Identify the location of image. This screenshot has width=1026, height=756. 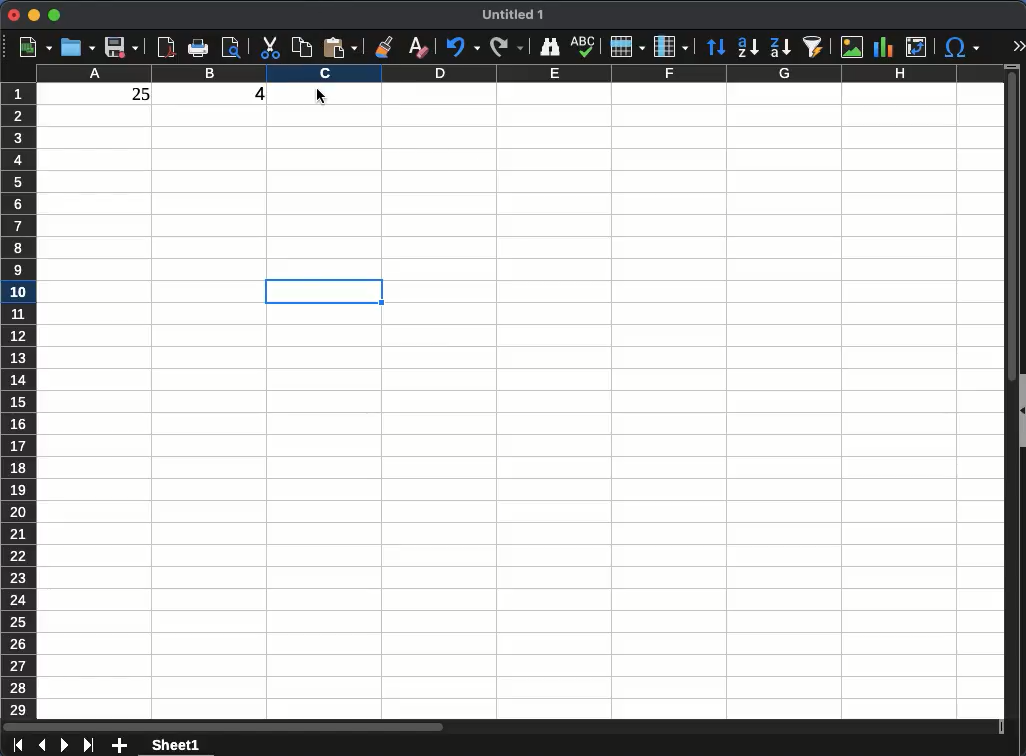
(852, 48).